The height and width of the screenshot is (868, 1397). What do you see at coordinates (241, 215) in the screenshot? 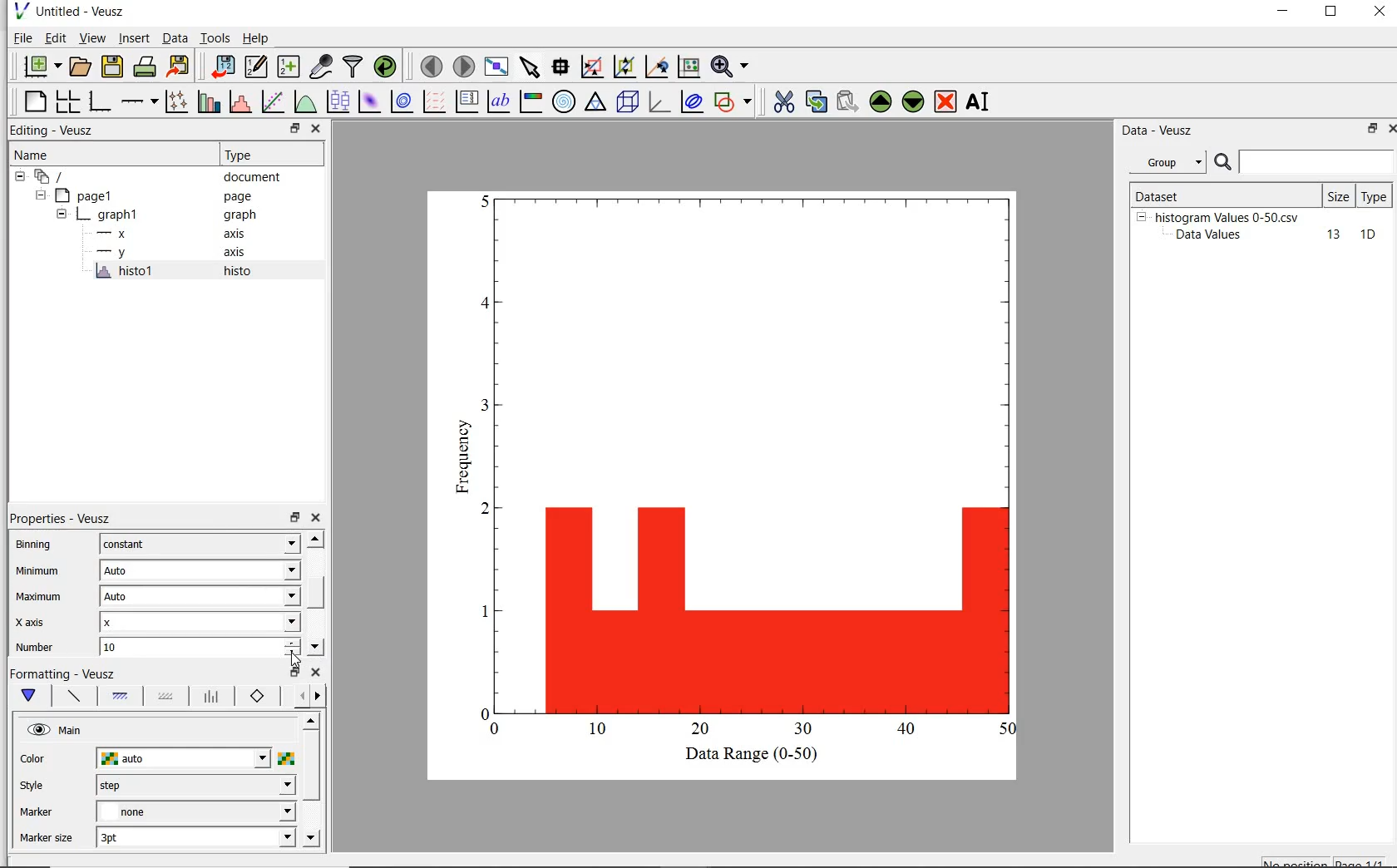
I see `` at bounding box center [241, 215].